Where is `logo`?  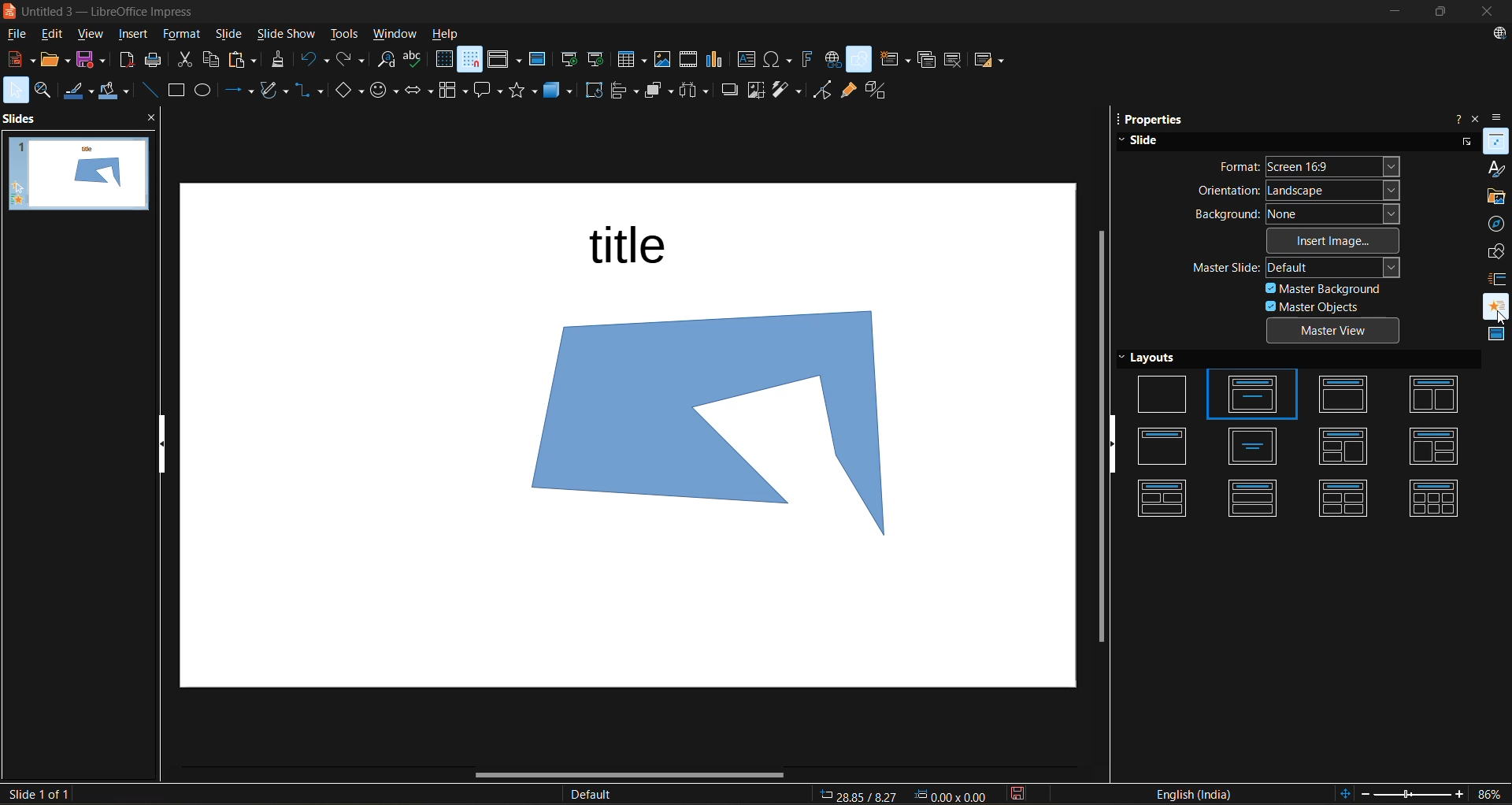 logo is located at coordinates (9, 12).